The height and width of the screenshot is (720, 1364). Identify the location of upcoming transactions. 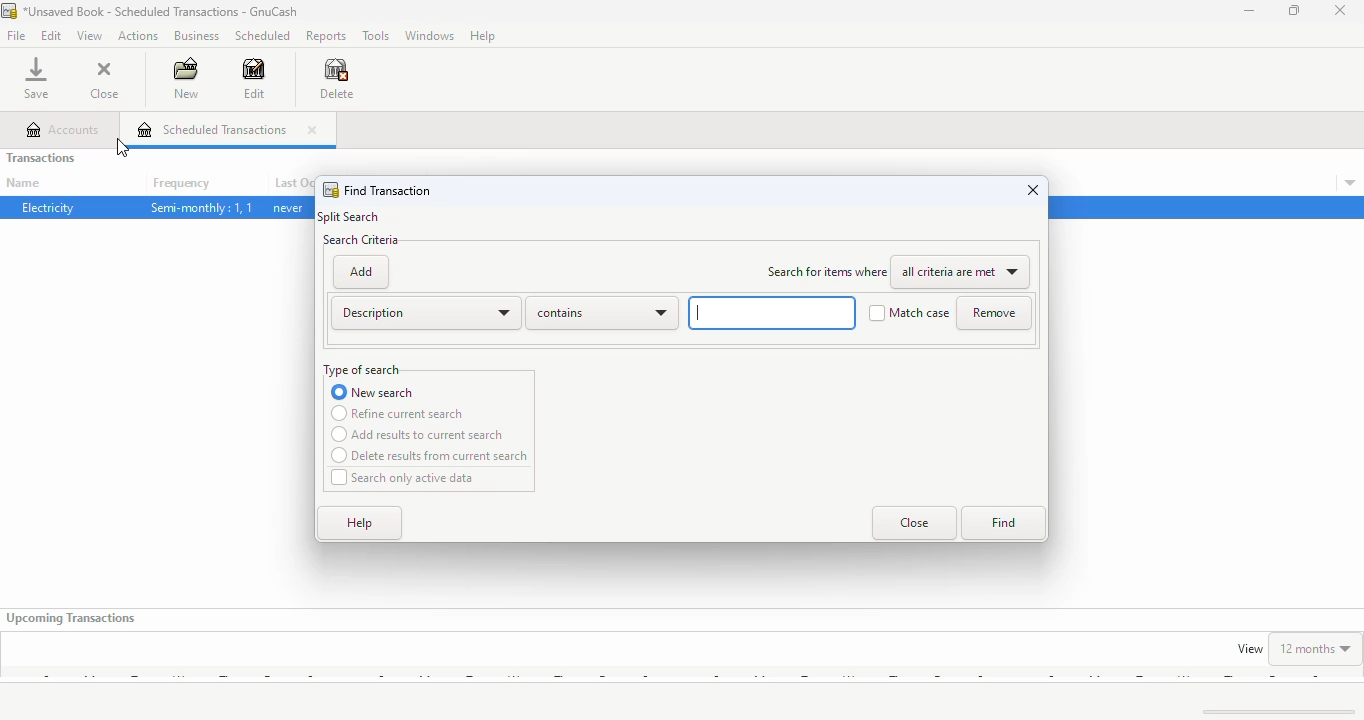
(72, 618).